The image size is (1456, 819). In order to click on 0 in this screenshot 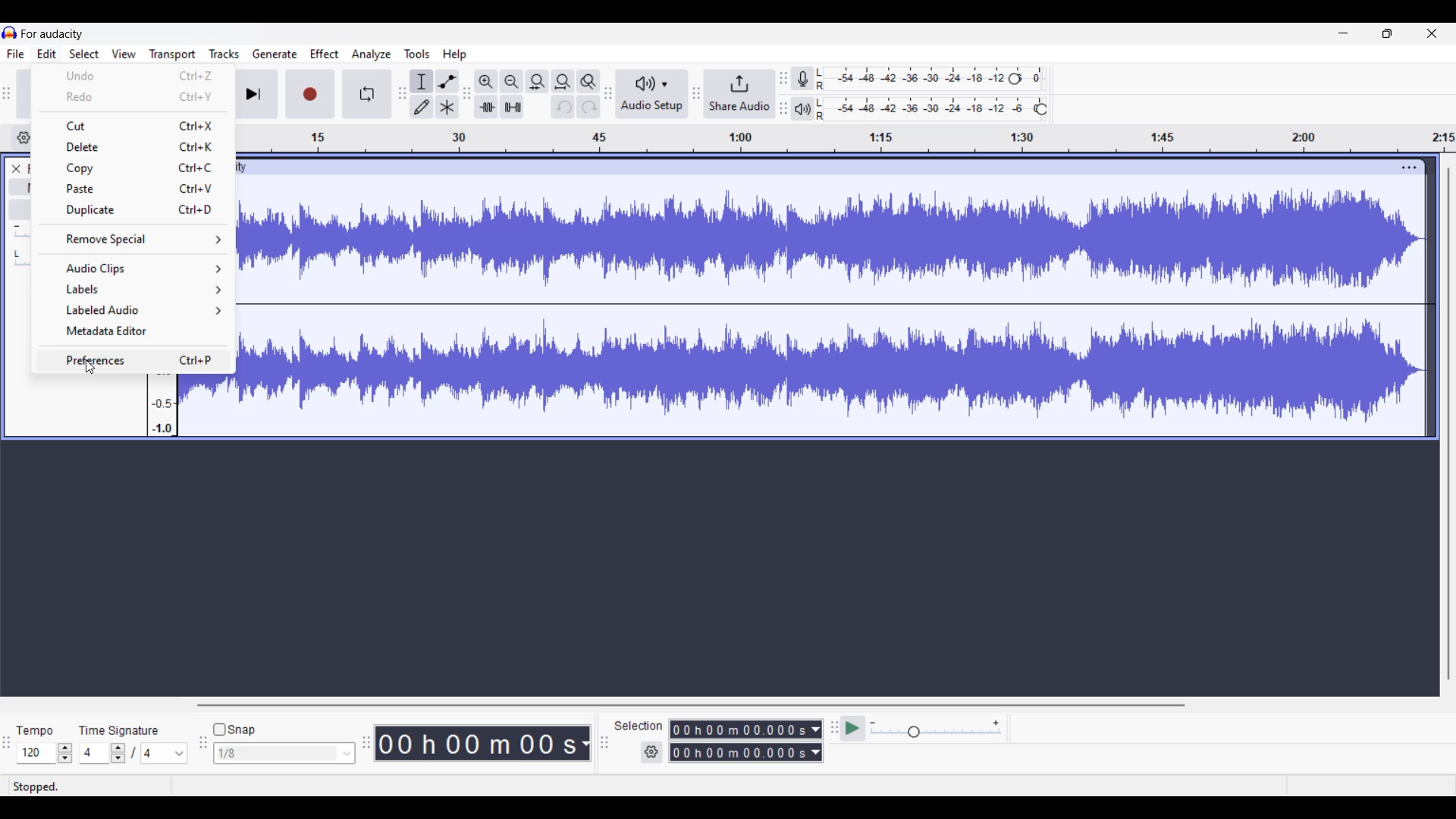, I will do `click(1040, 74)`.